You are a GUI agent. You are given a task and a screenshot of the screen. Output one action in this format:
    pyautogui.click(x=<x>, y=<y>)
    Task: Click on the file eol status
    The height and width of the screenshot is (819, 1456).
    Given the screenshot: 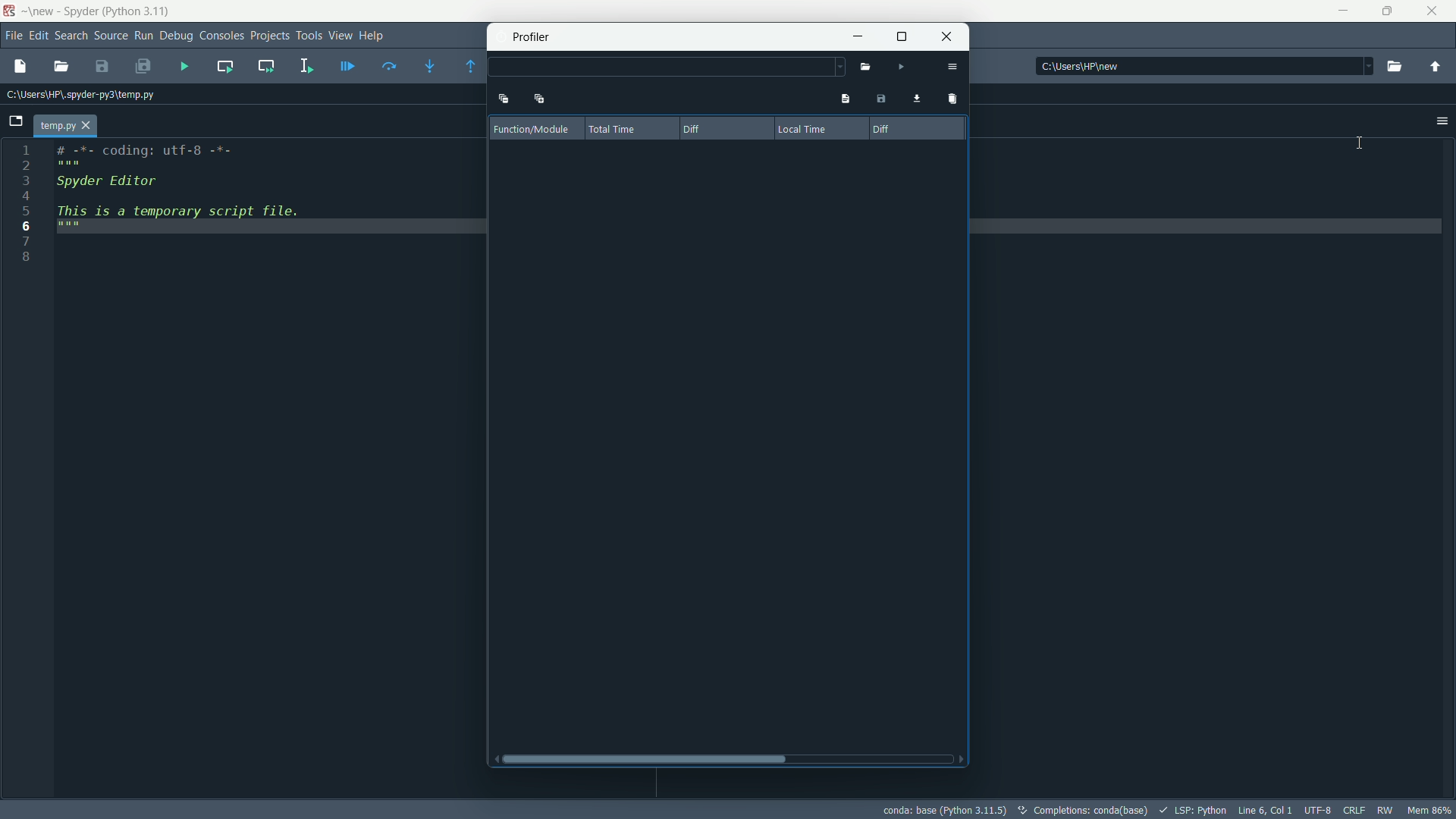 What is the action you would take?
    pyautogui.click(x=1355, y=811)
    